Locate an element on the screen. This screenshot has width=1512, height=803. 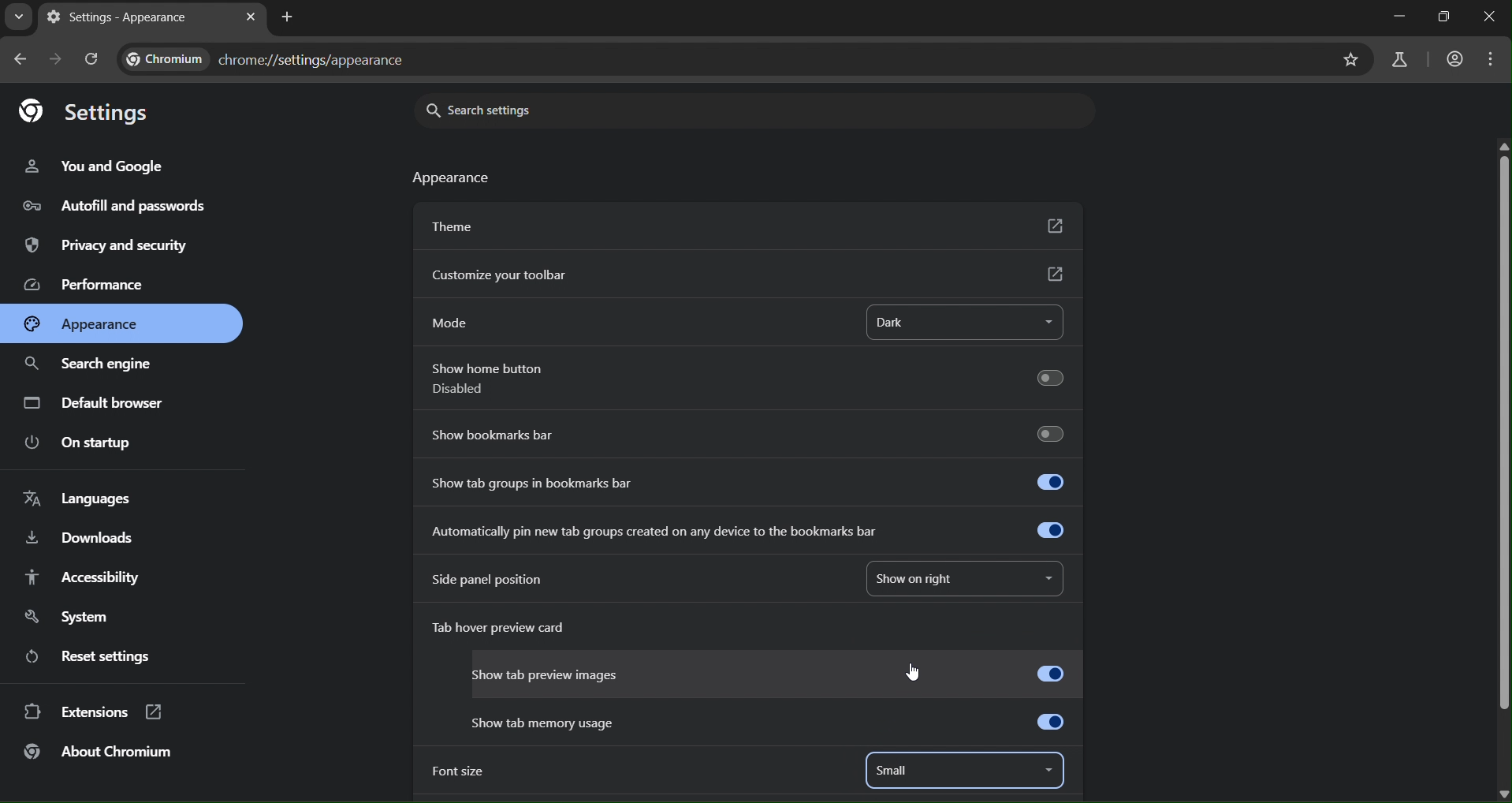
theme is located at coordinates (747, 226).